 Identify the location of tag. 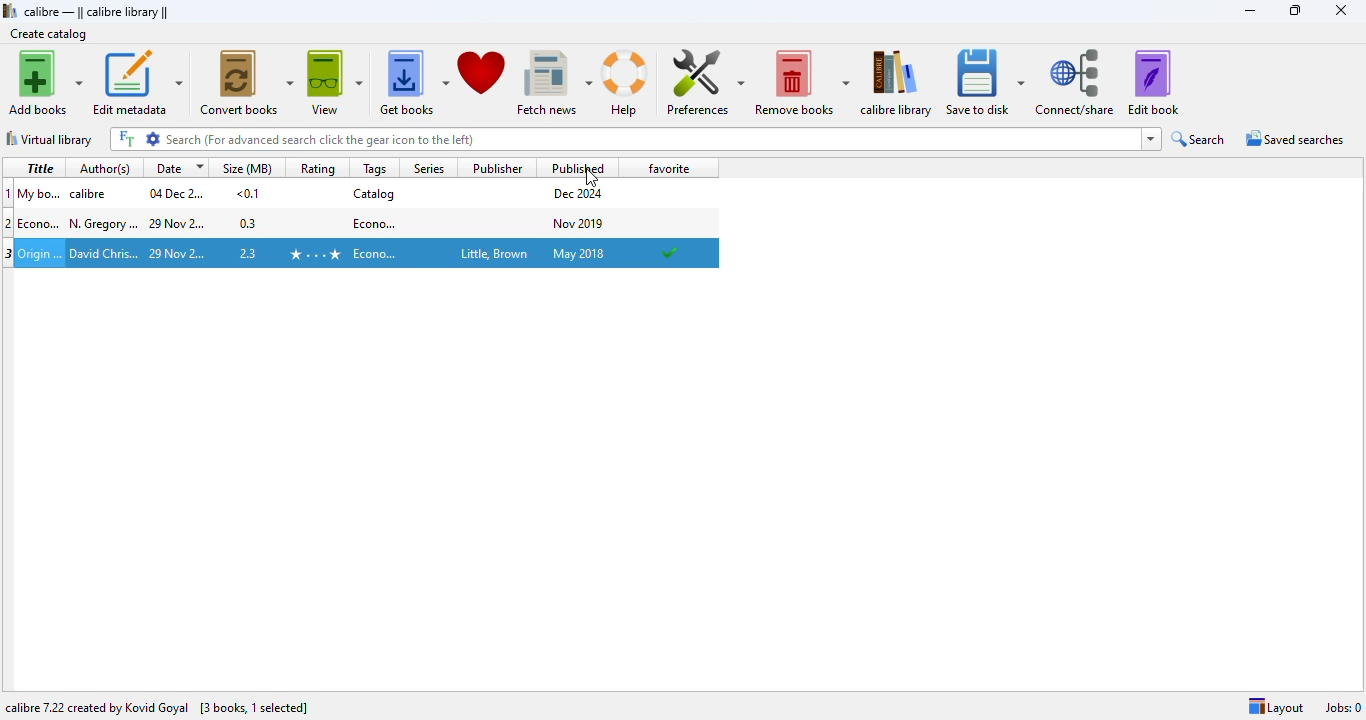
(375, 223).